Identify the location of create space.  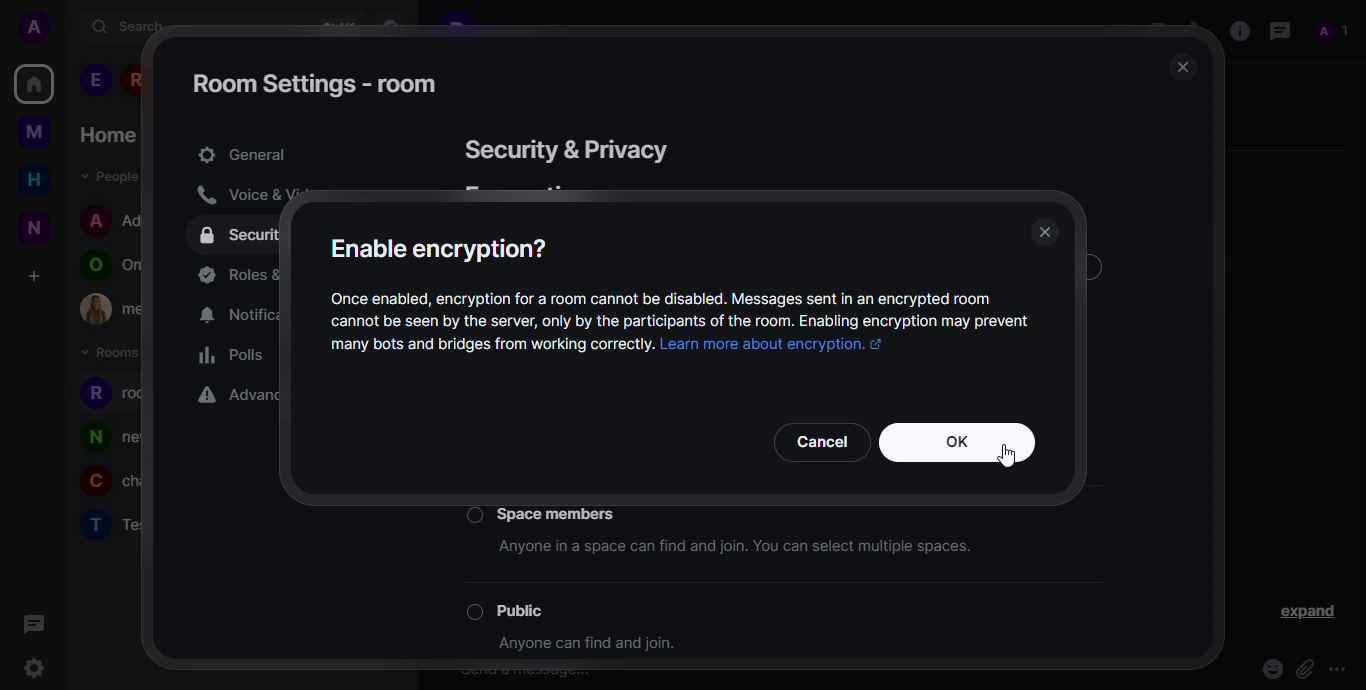
(32, 276).